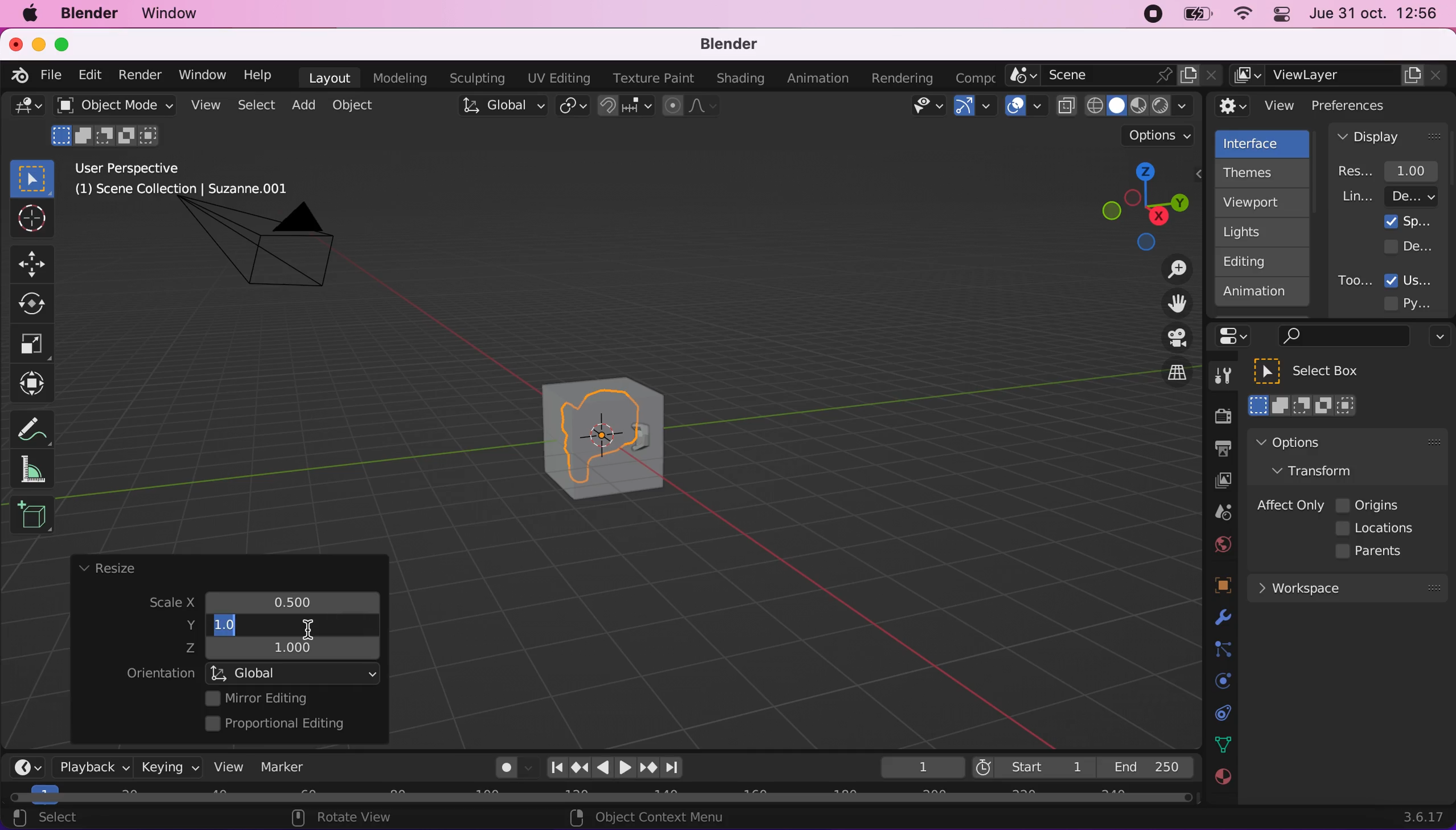 This screenshot has width=1456, height=830. Describe the element at coordinates (160, 674) in the screenshot. I see `orientation` at that location.